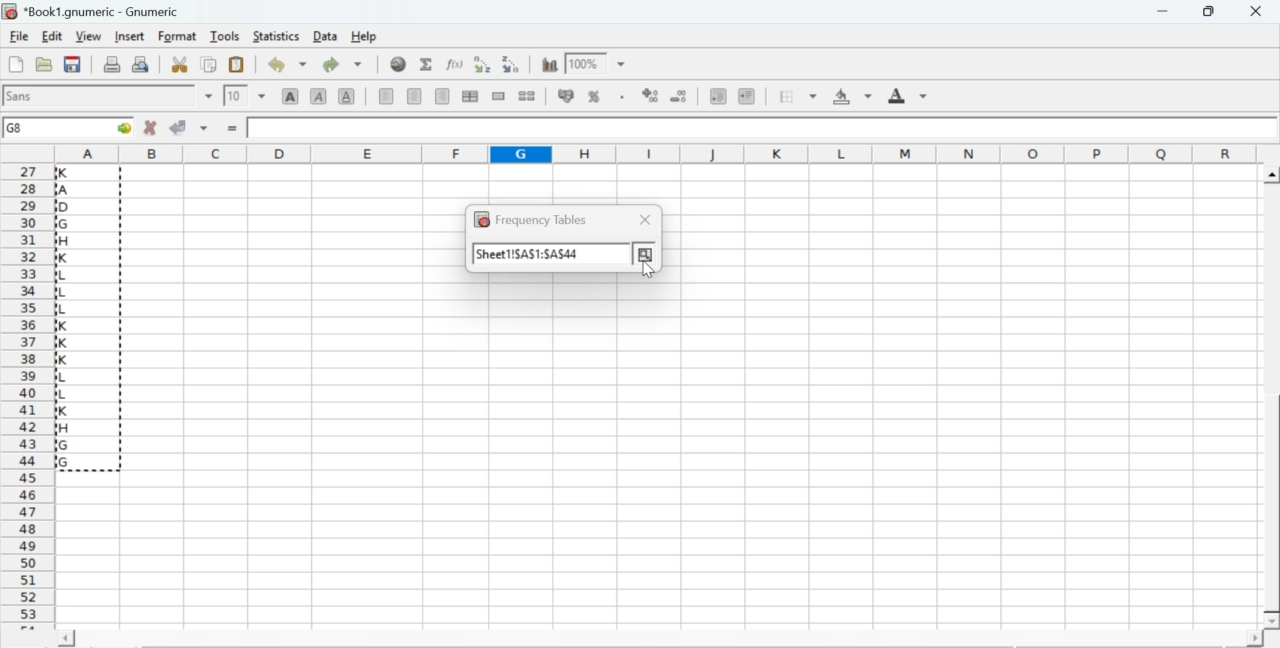 This screenshot has width=1280, height=648. What do you see at coordinates (286, 65) in the screenshot?
I see `undo` at bounding box center [286, 65].